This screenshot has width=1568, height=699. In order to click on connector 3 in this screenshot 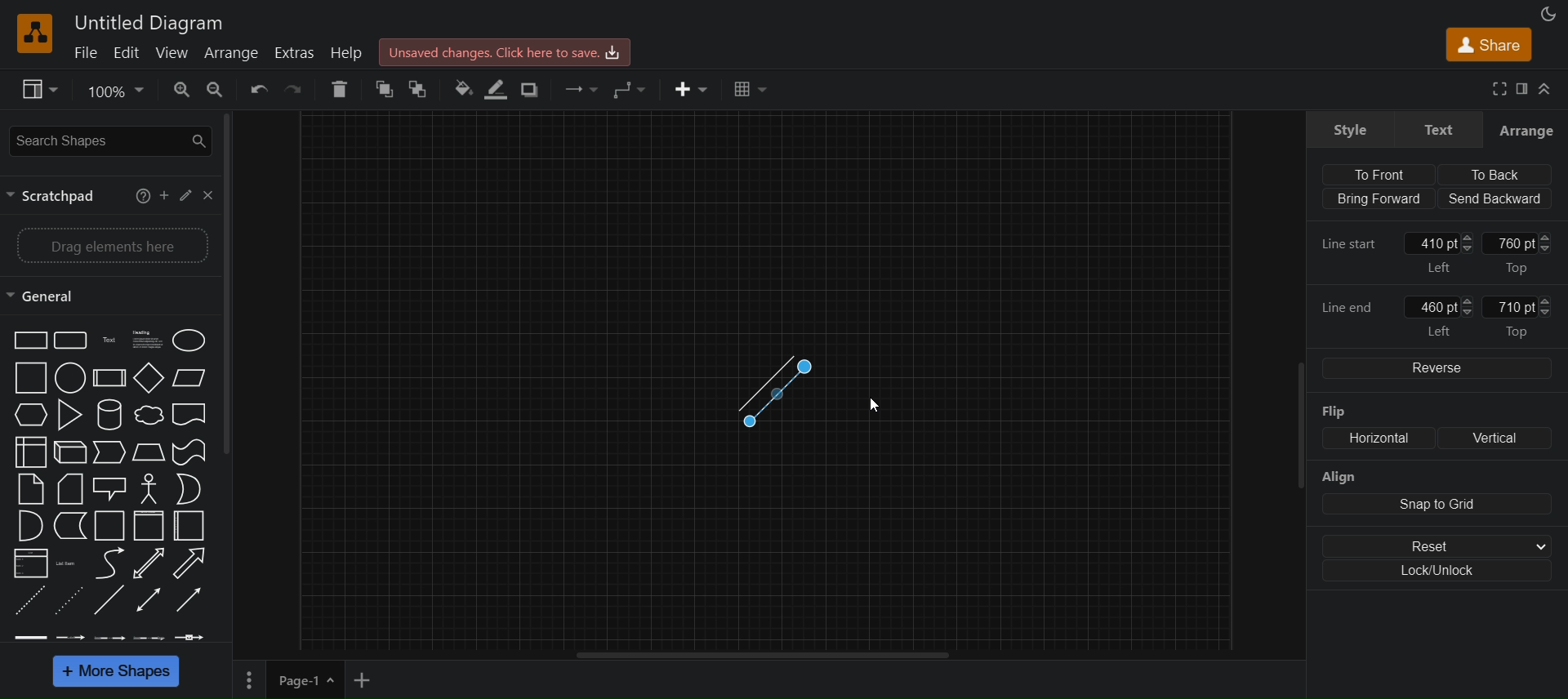, I will do `click(110, 637)`.